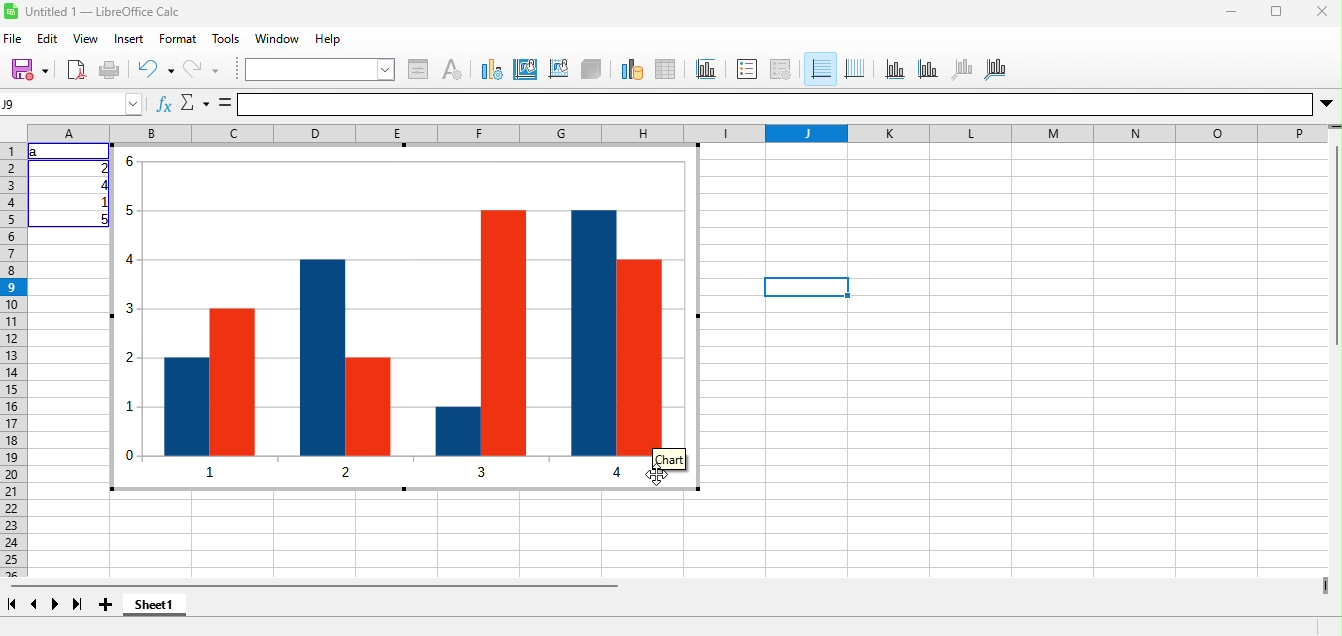 The height and width of the screenshot is (636, 1342). I want to click on maximize, so click(1276, 11).